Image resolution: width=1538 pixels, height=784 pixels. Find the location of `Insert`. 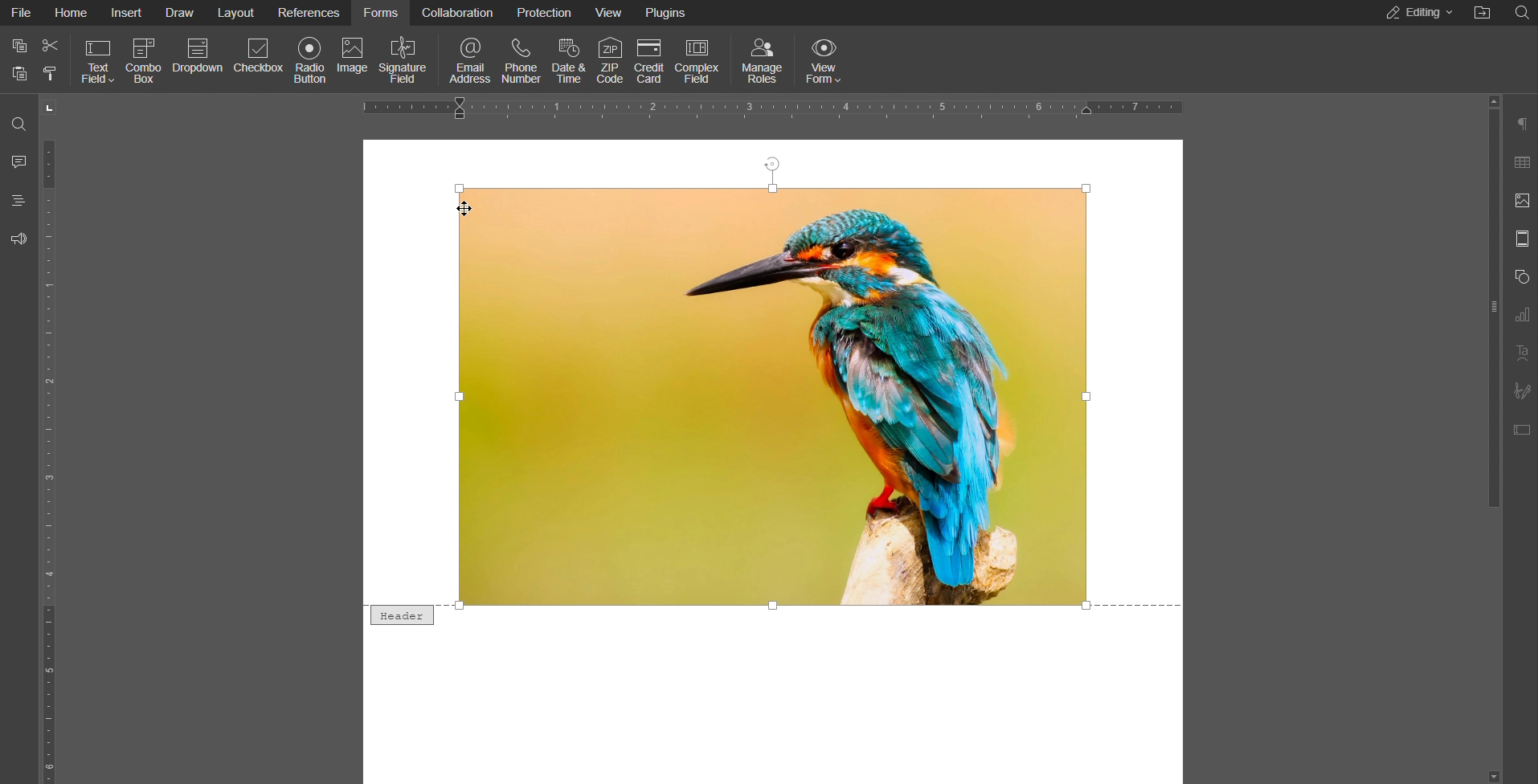

Insert is located at coordinates (128, 13).